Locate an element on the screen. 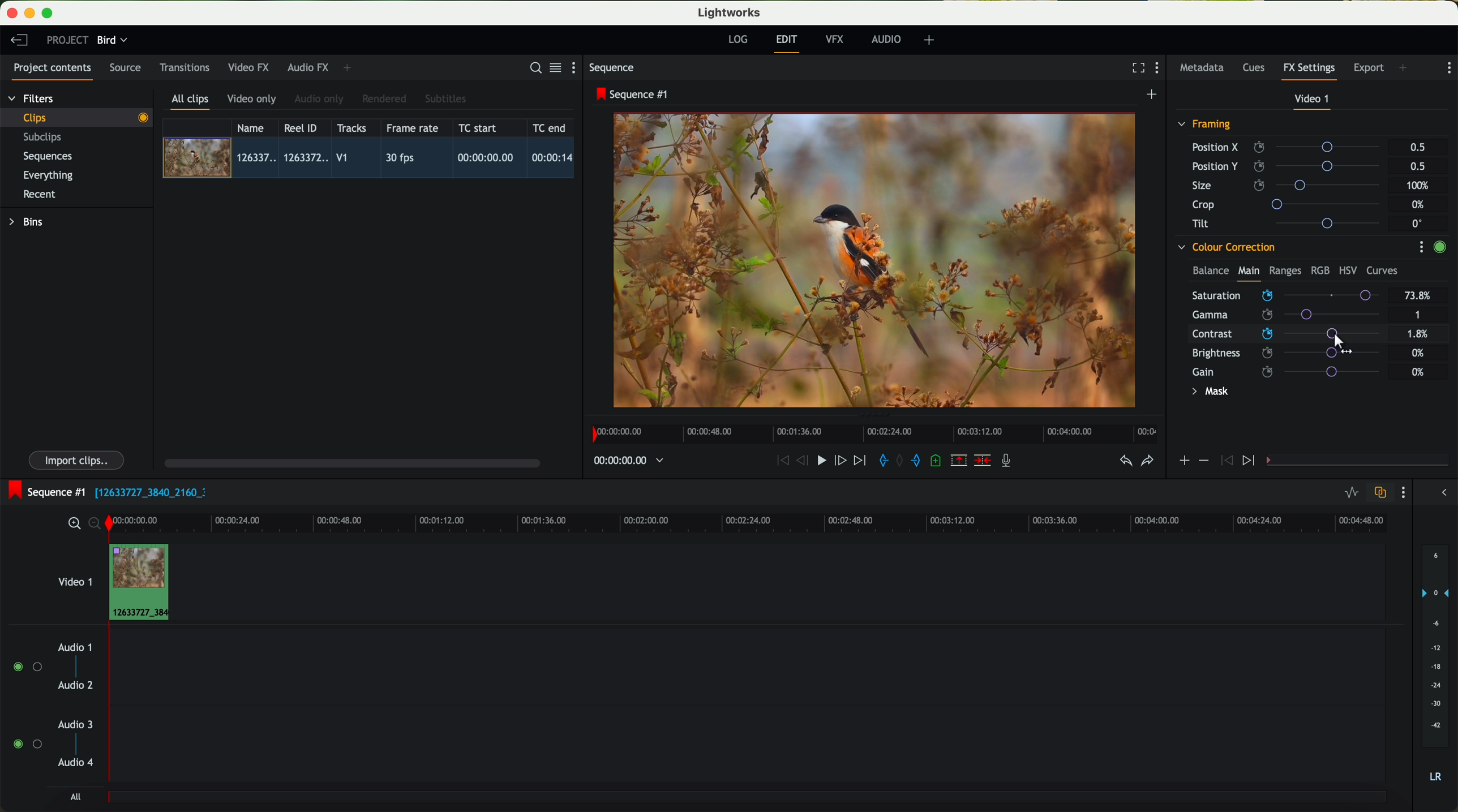 The image size is (1458, 812). leave is located at coordinates (19, 41).